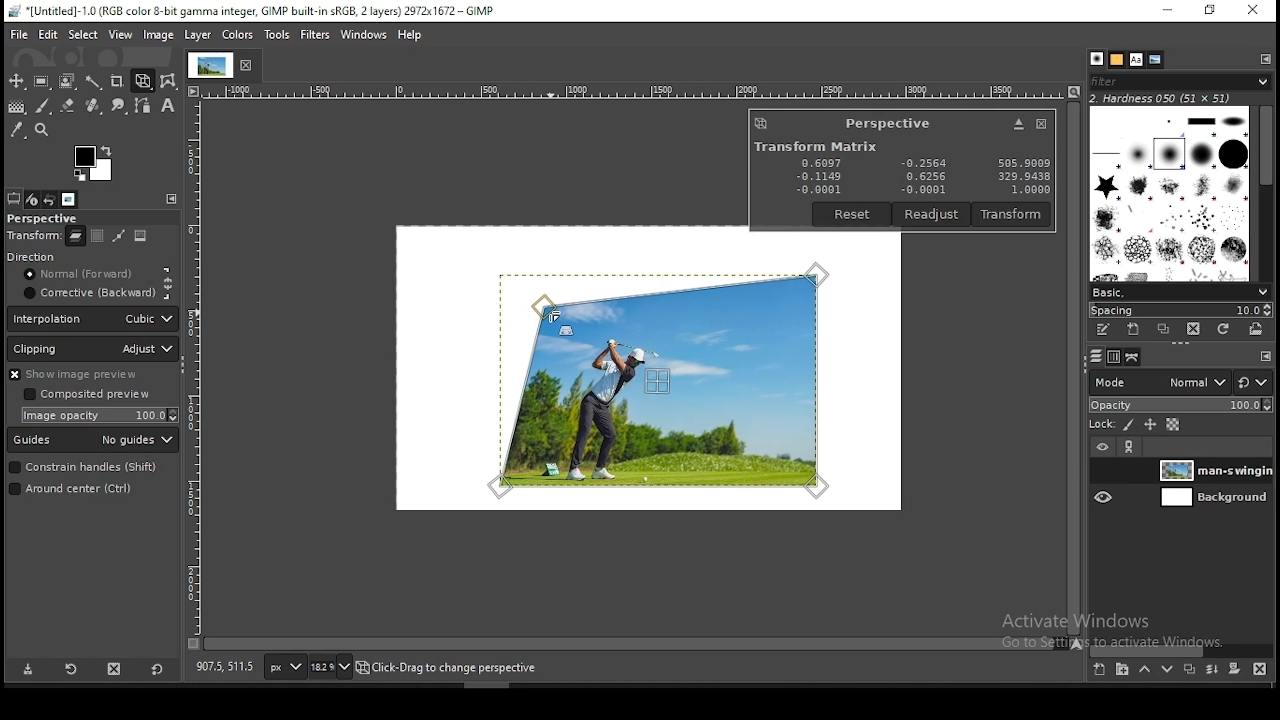  I want to click on edit, so click(48, 34).